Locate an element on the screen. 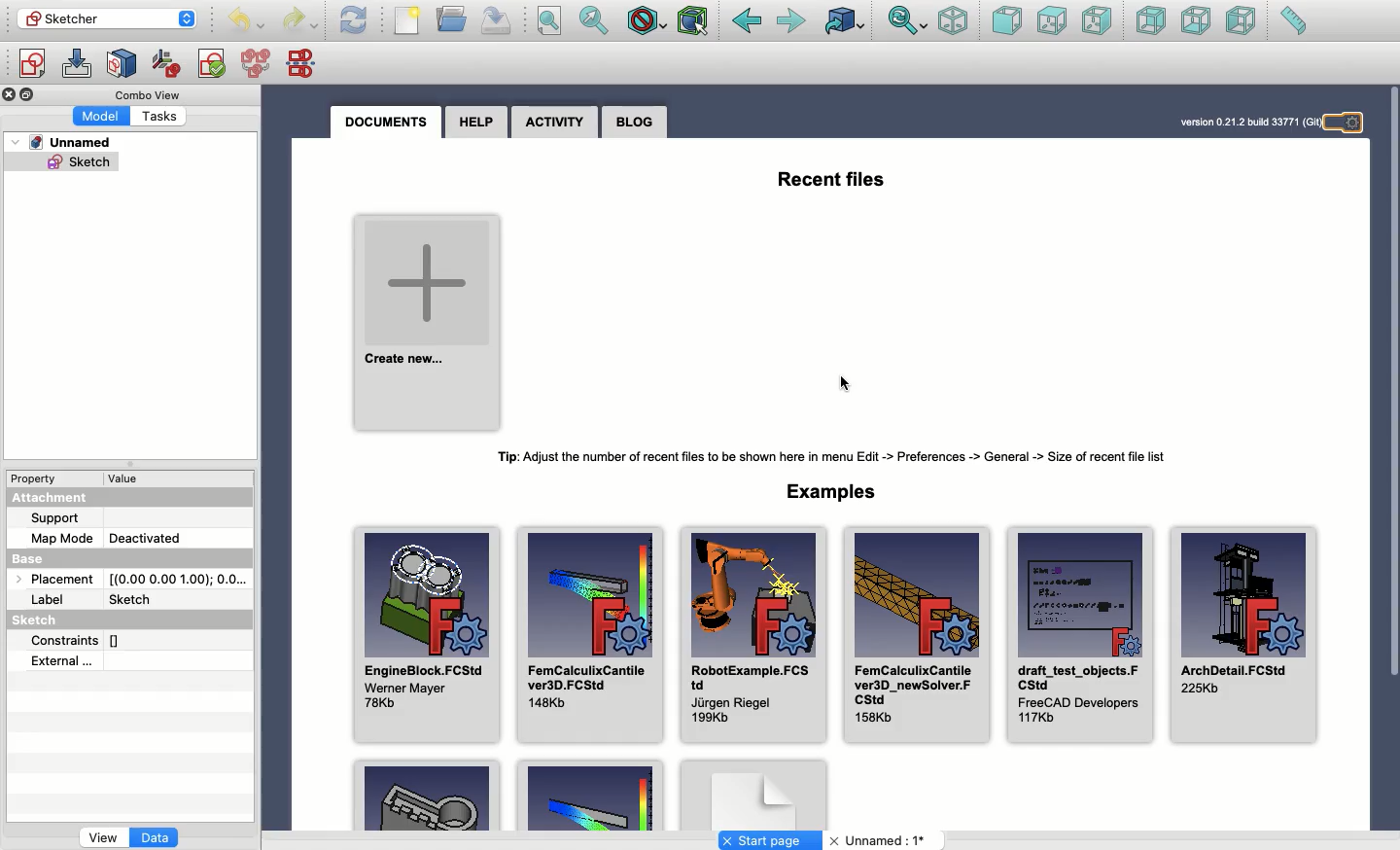 The height and width of the screenshot is (850, 1400). Undo is located at coordinates (249, 21).